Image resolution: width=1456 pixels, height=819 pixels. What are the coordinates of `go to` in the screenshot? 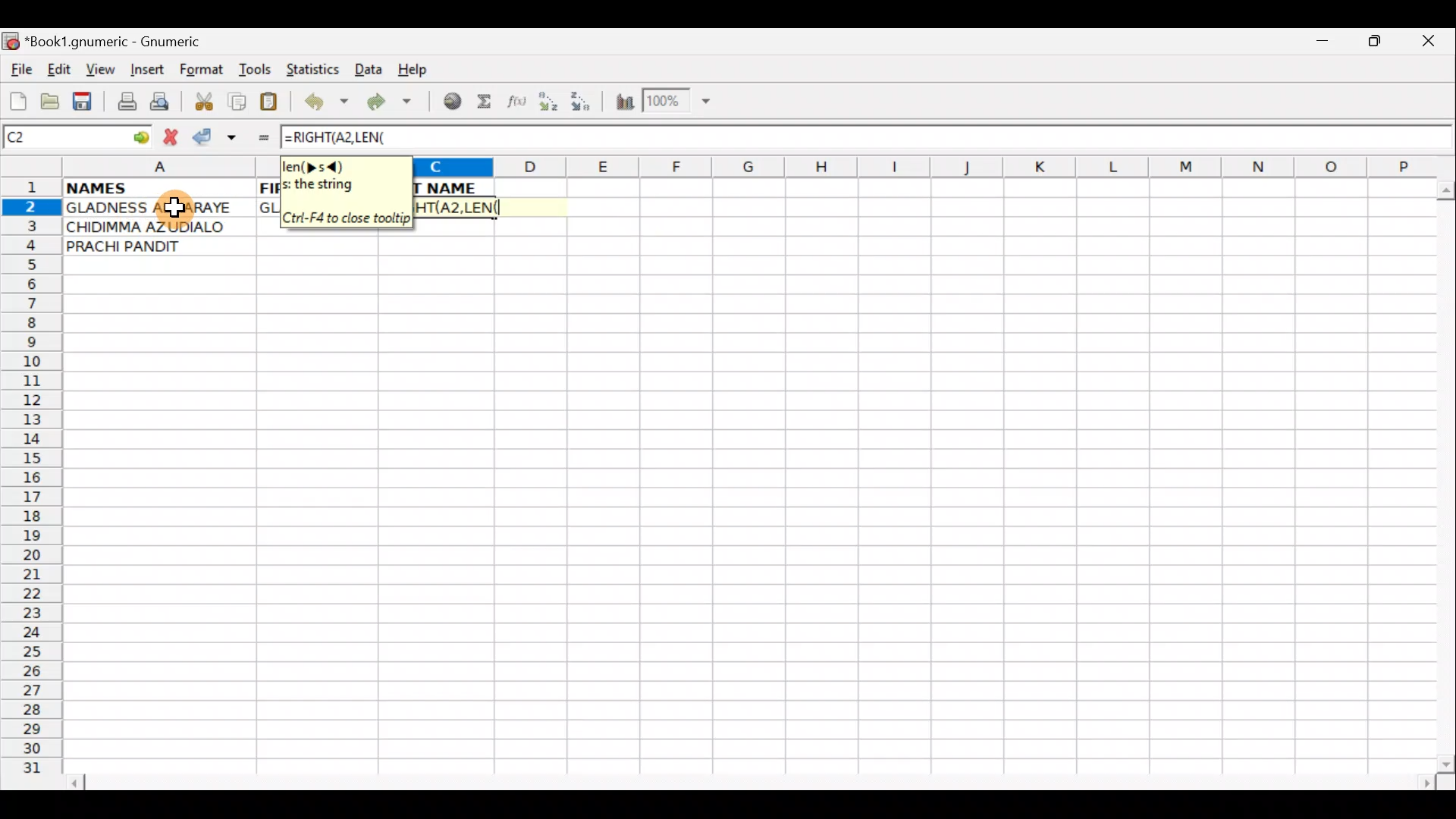 It's located at (140, 135).